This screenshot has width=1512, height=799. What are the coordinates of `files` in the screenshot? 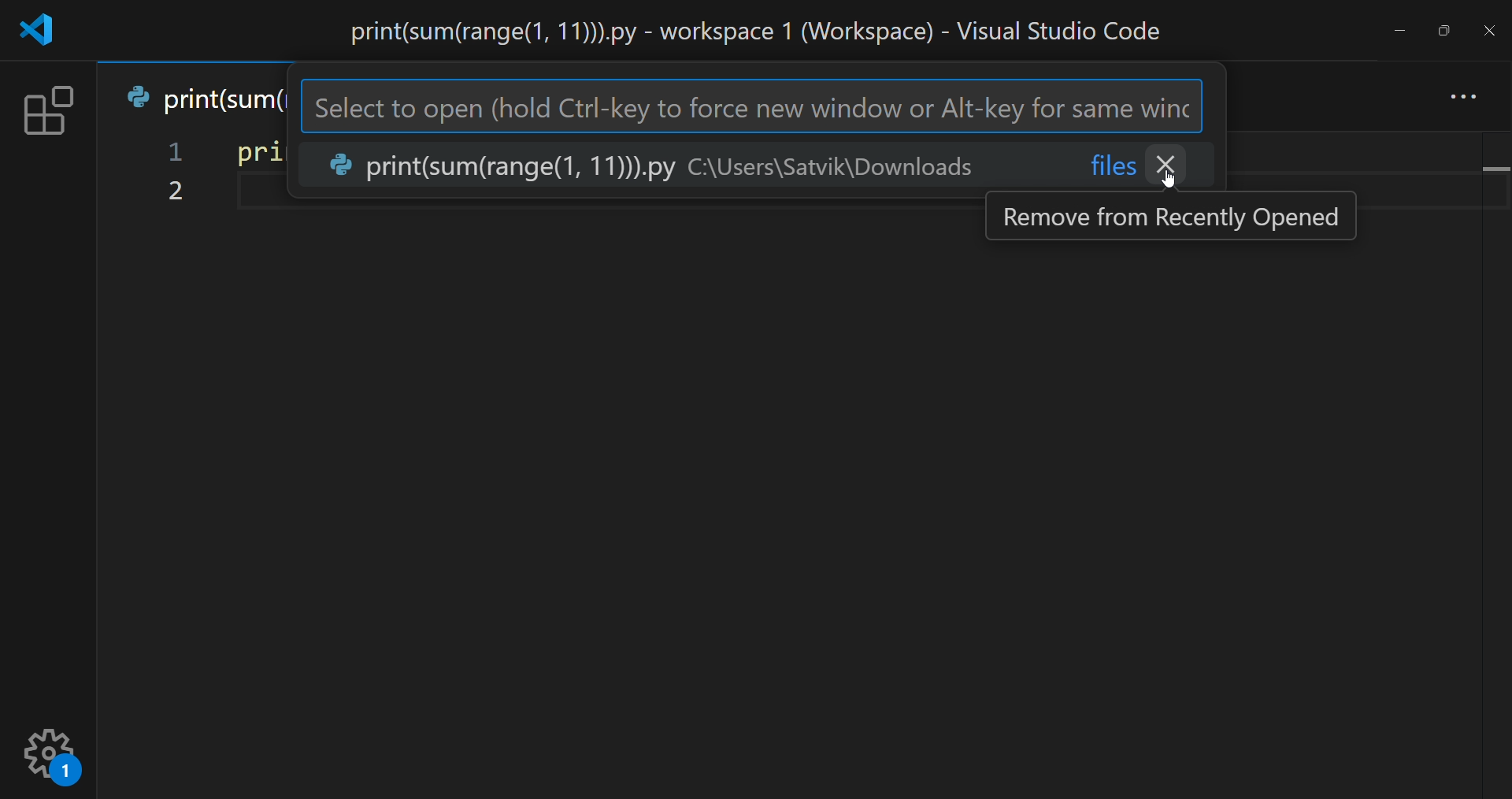 It's located at (1114, 164).